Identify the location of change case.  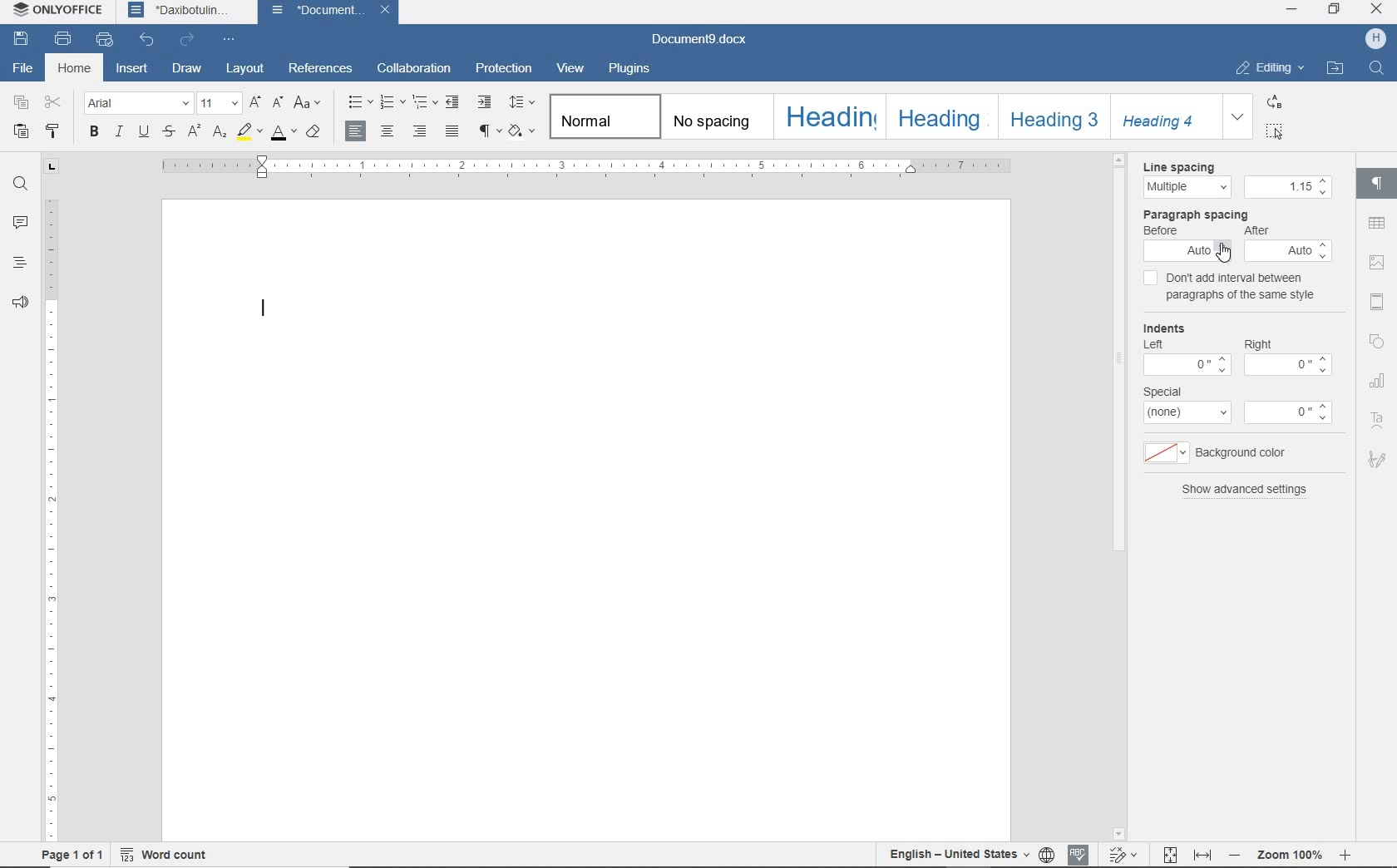
(309, 104).